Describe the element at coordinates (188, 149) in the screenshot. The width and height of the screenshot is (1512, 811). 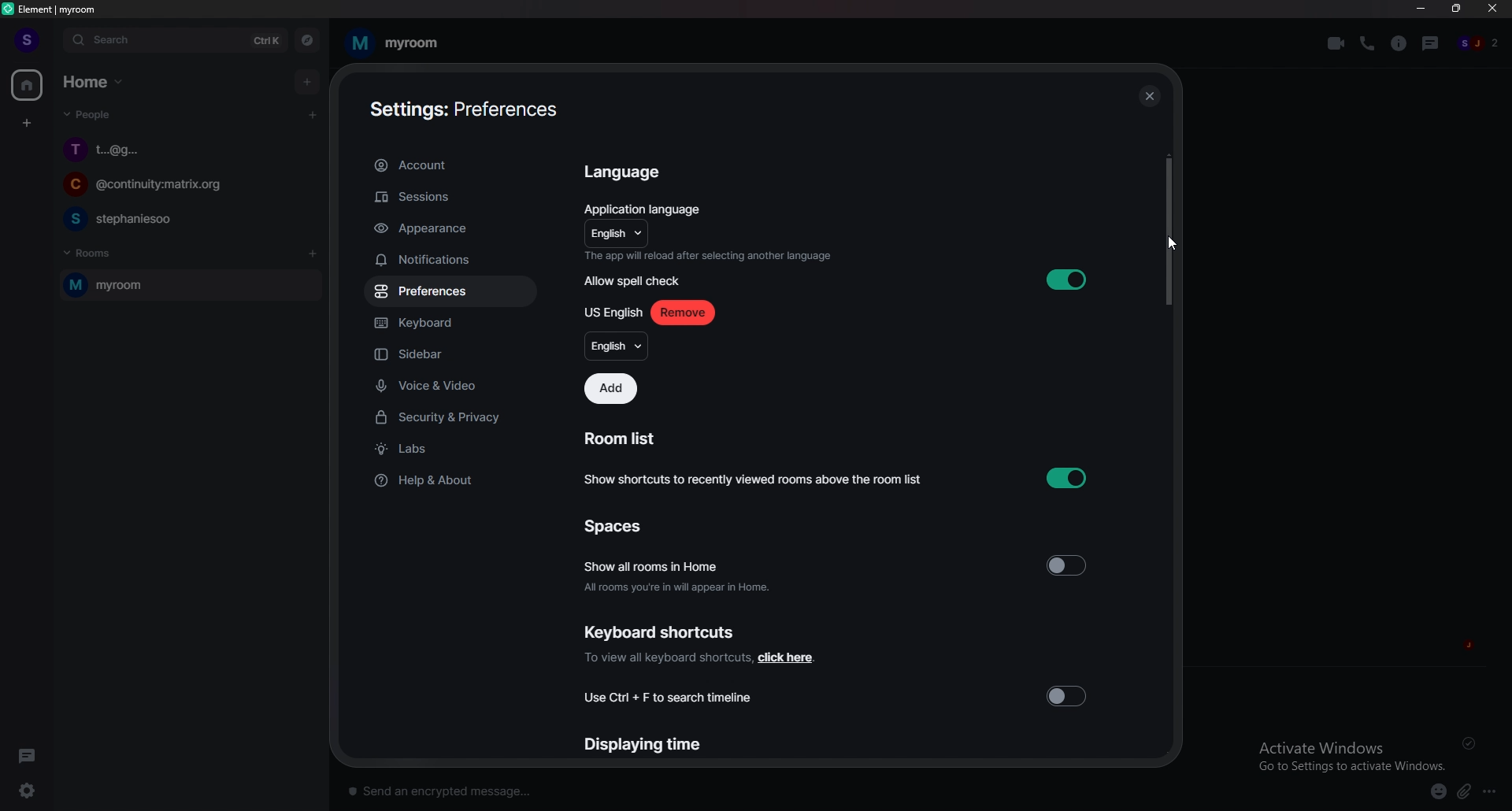
I see `chat` at that location.